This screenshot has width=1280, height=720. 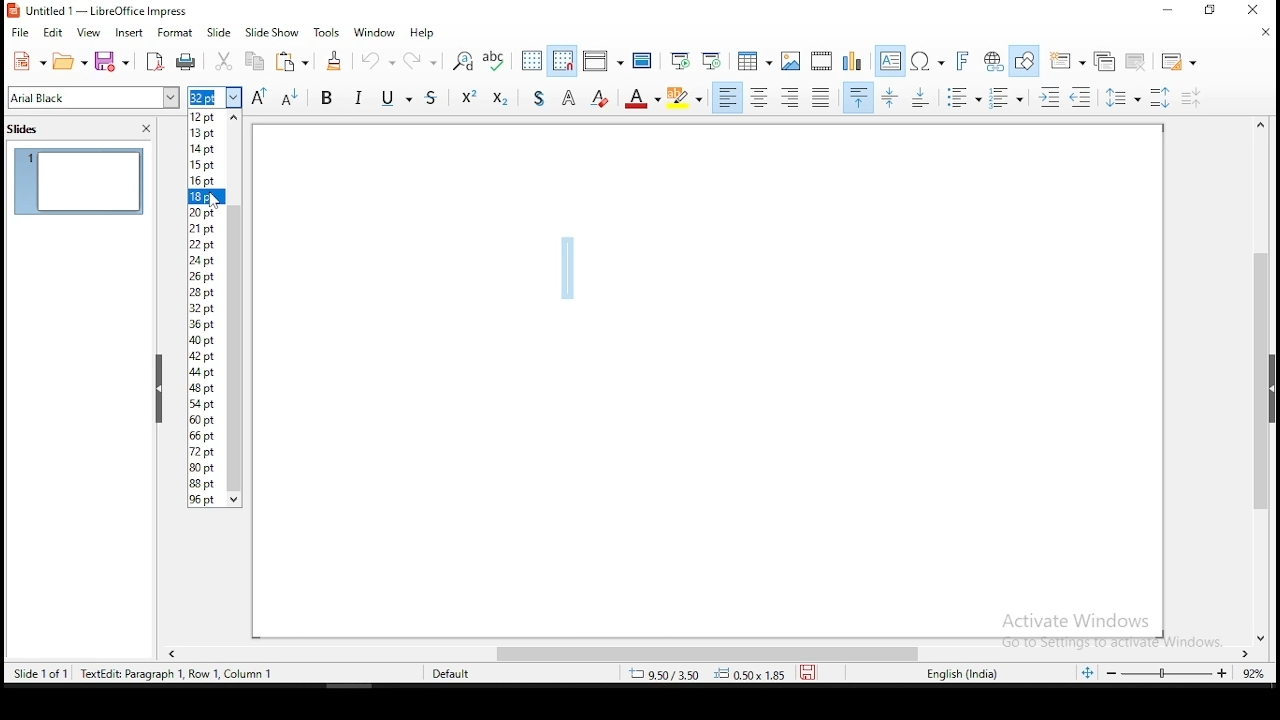 I want to click on start from current slide, so click(x=711, y=60).